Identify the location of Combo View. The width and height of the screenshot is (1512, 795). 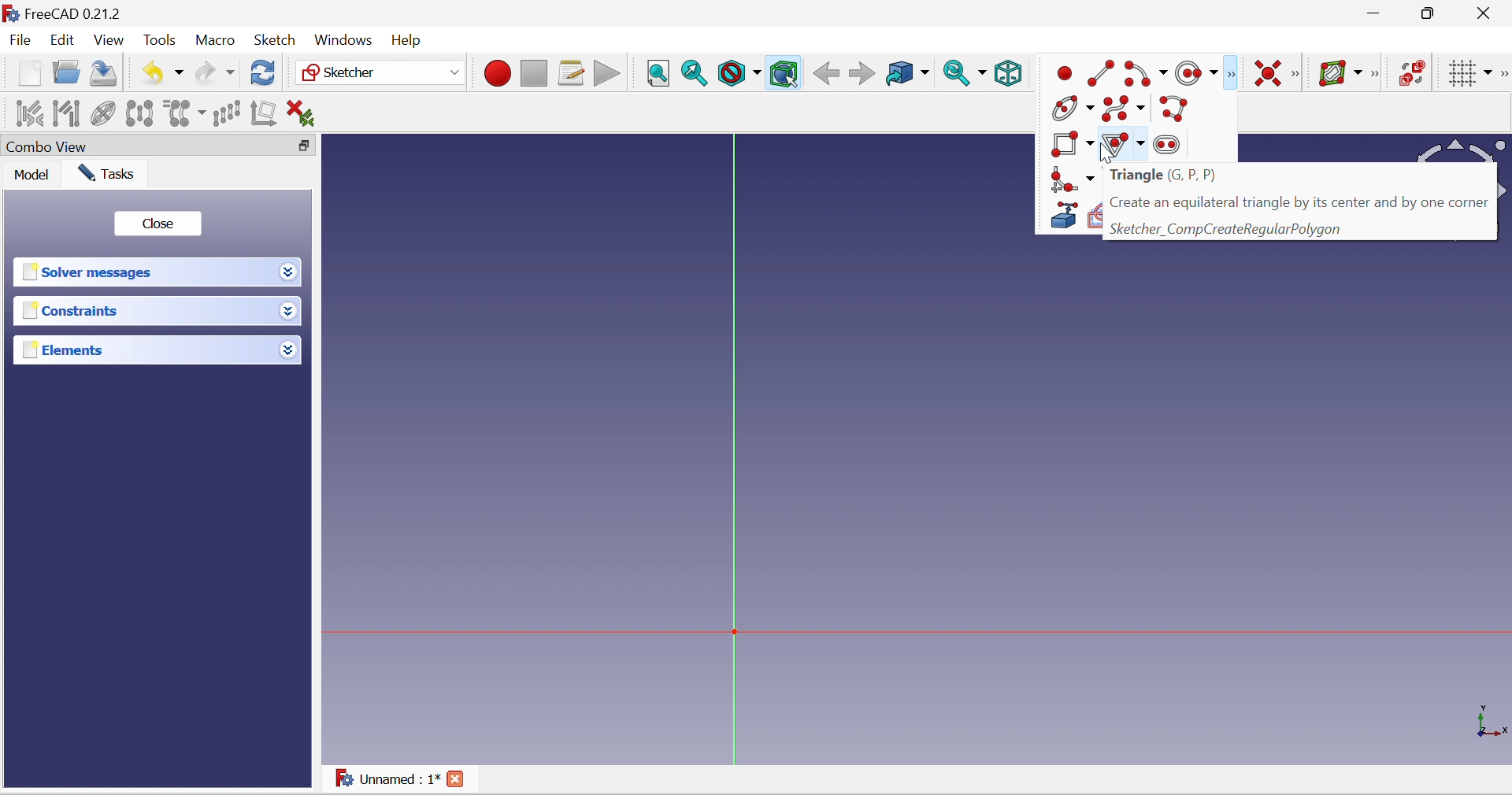
(141, 146).